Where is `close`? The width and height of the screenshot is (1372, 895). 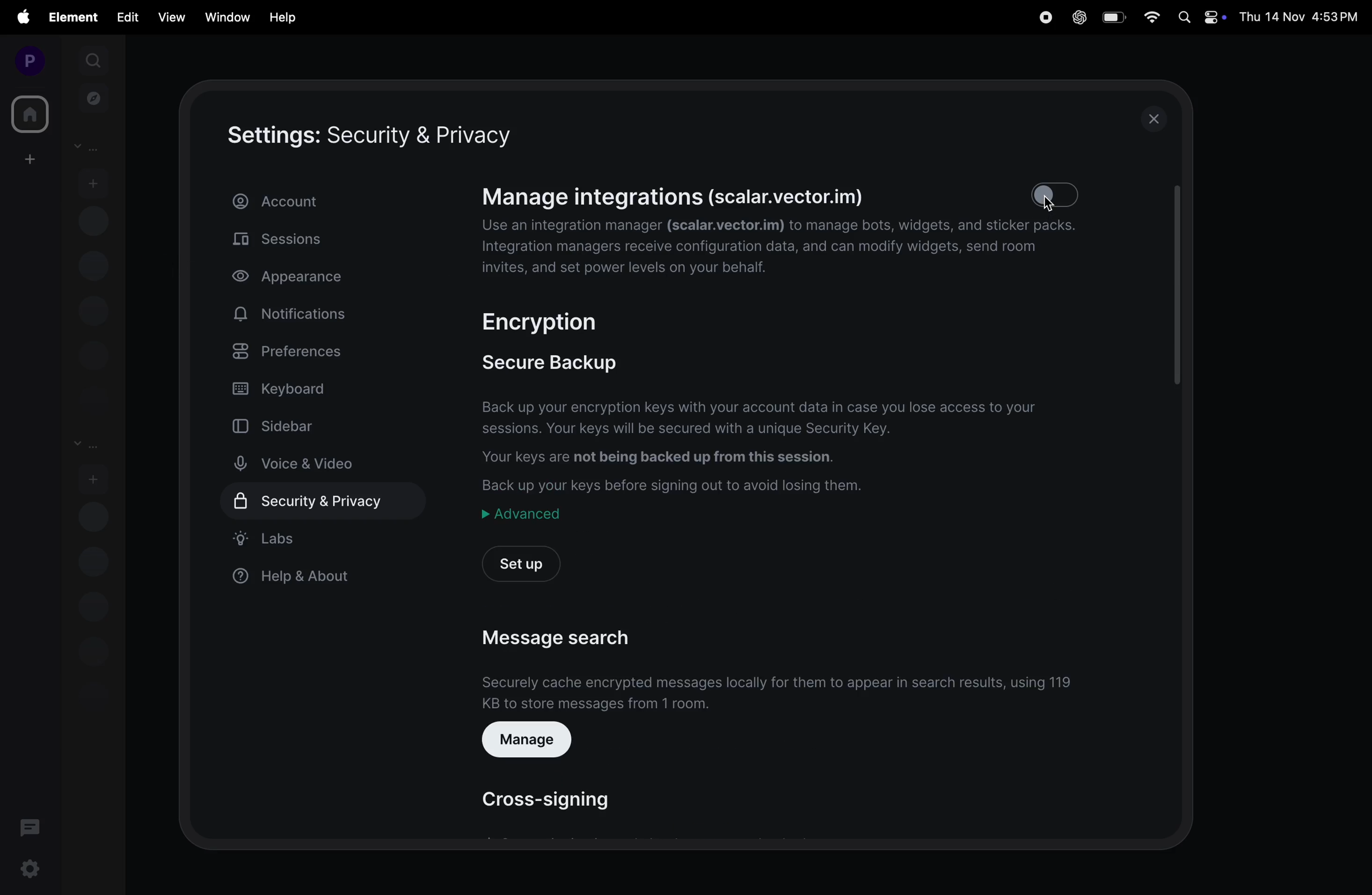 close is located at coordinates (1148, 119).